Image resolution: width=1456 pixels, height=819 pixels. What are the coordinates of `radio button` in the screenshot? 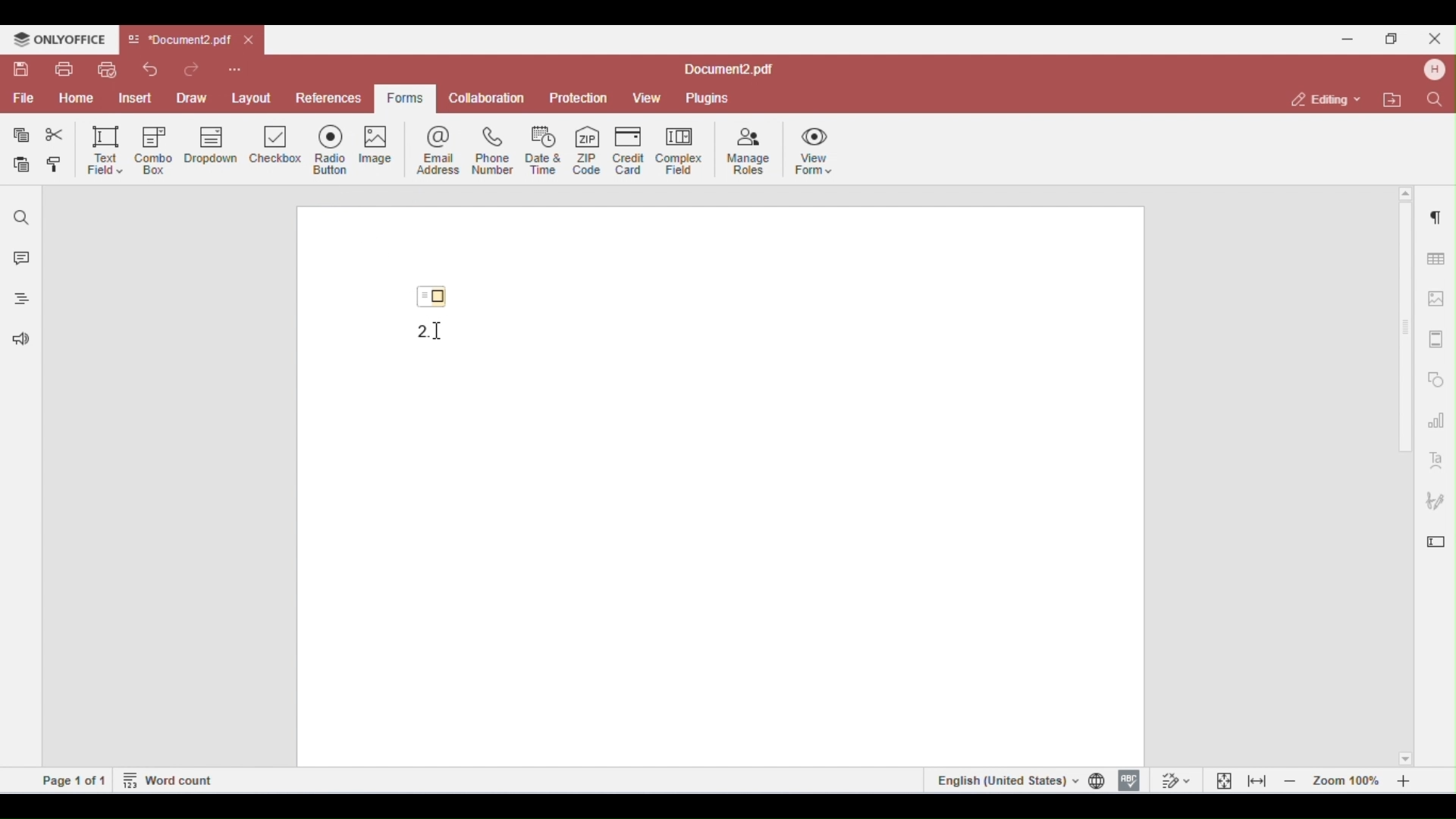 It's located at (335, 149).